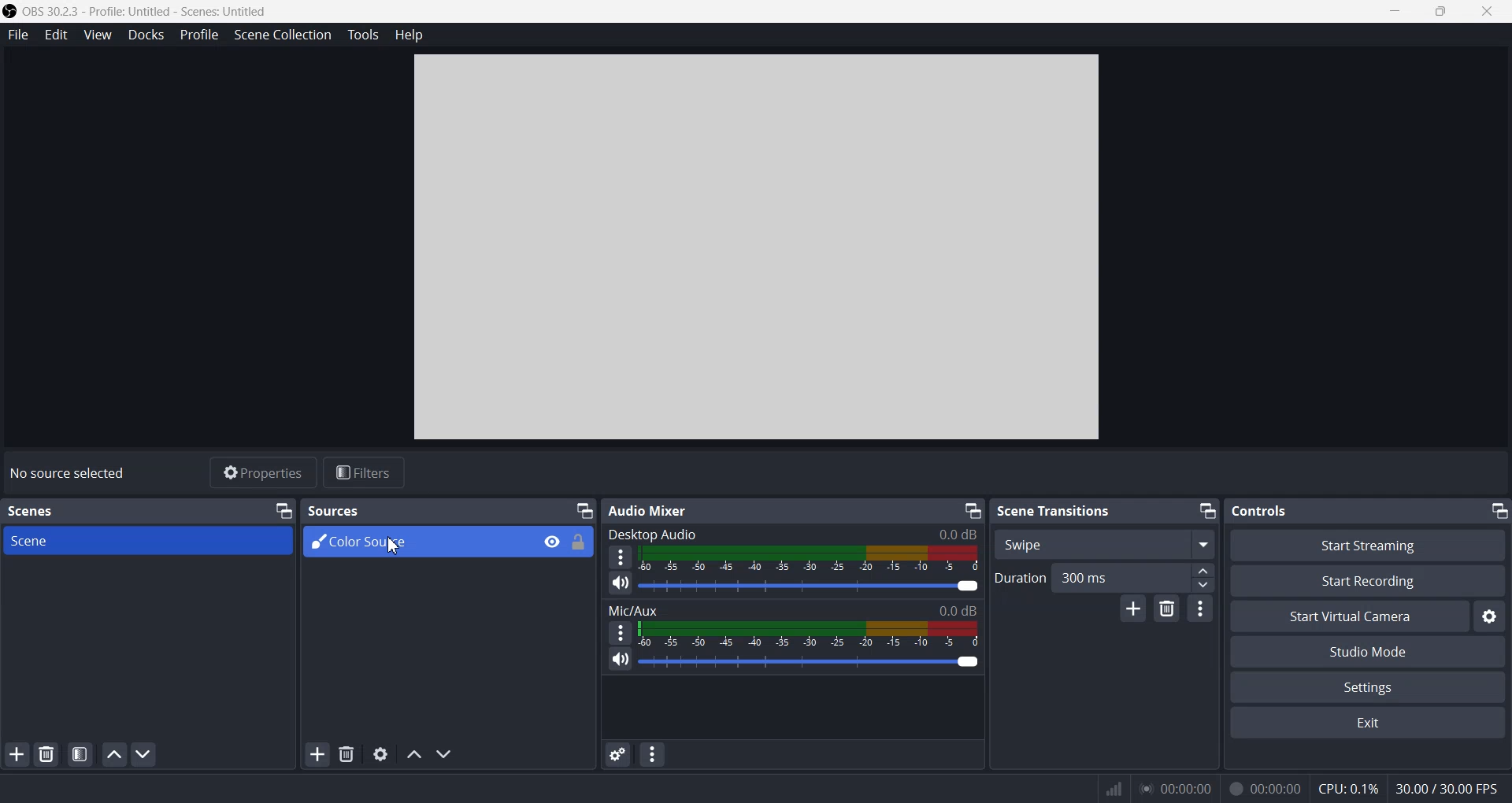 The width and height of the screenshot is (1512, 803). Describe the element at coordinates (97, 34) in the screenshot. I see `View` at that location.